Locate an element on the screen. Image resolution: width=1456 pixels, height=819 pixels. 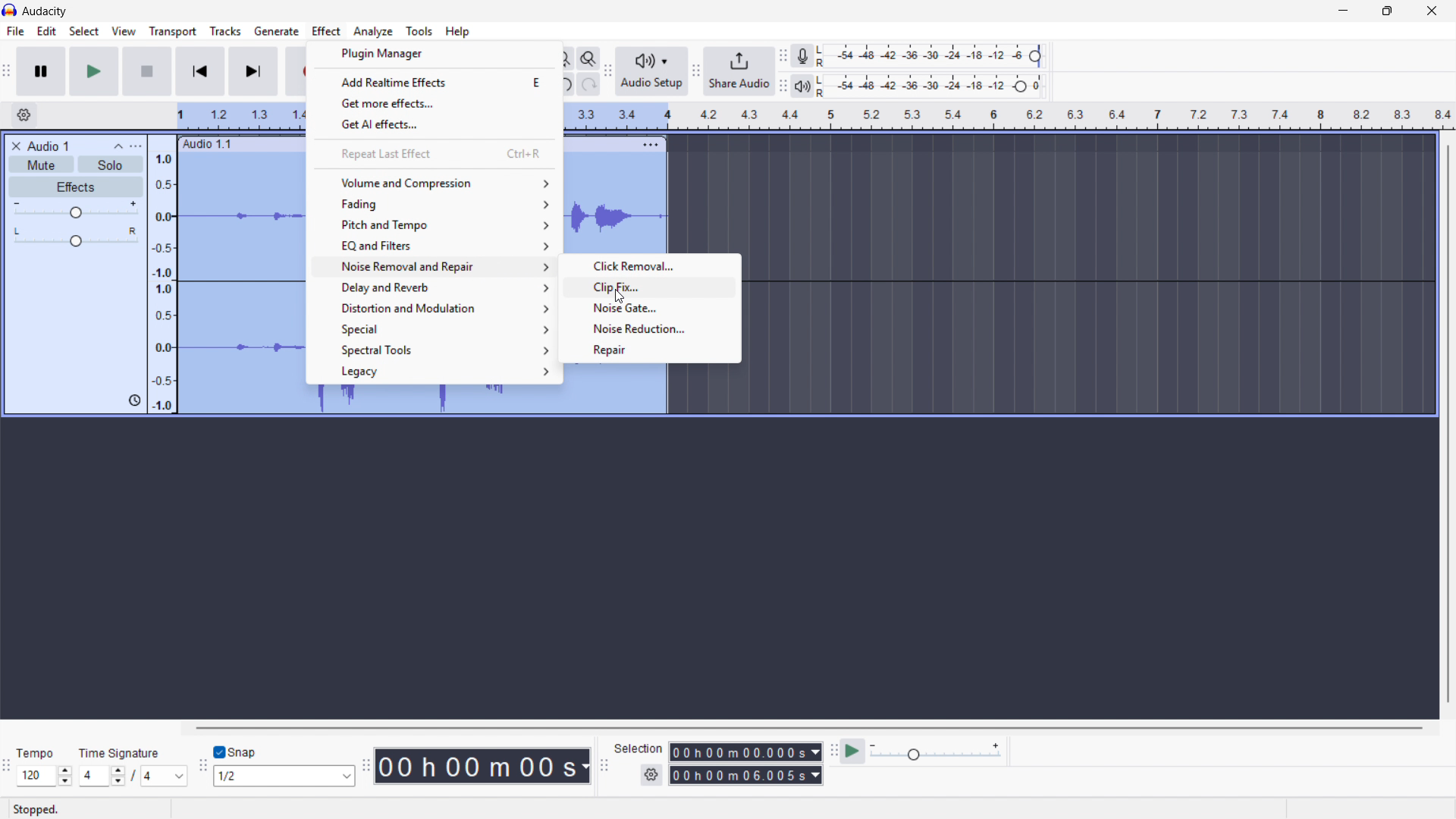
Solo is located at coordinates (111, 164).